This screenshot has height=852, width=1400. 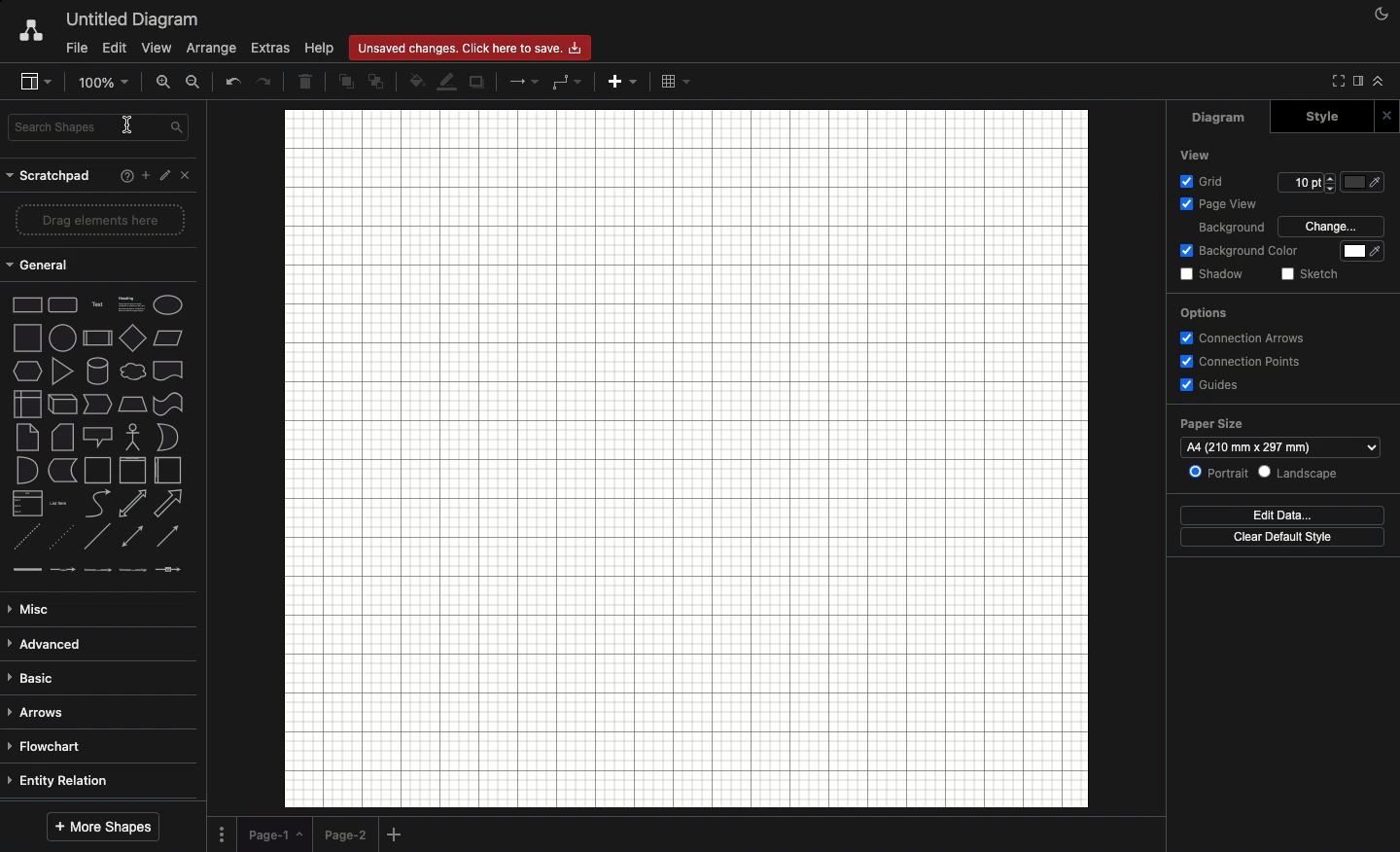 What do you see at coordinates (104, 470) in the screenshot?
I see `shapes` at bounding box center [104, 470].